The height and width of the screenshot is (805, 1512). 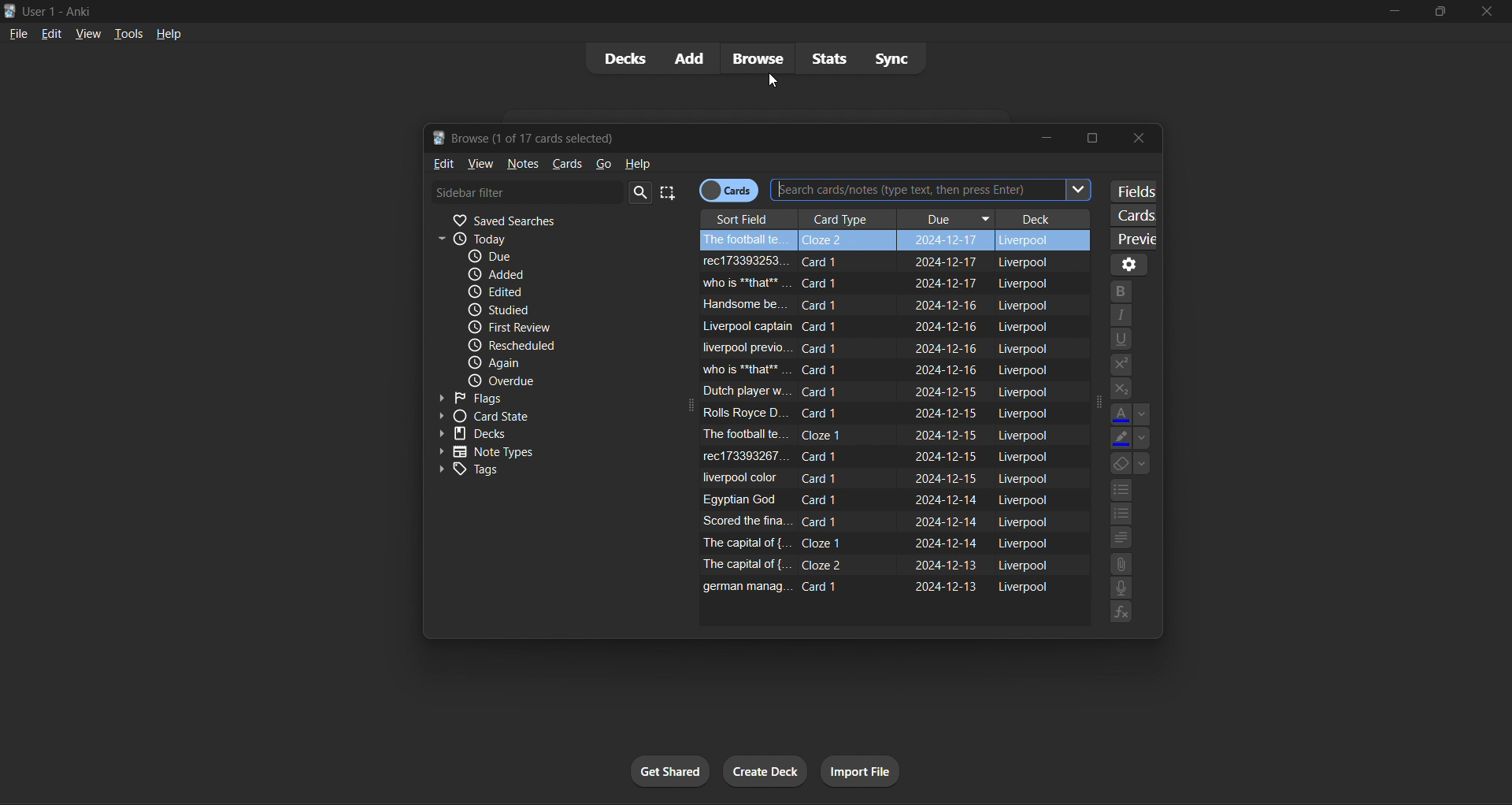 What do you see at coordinates (1119, 540) in the screenshot?
I see `alignment` at bounding box center [1119, 540].